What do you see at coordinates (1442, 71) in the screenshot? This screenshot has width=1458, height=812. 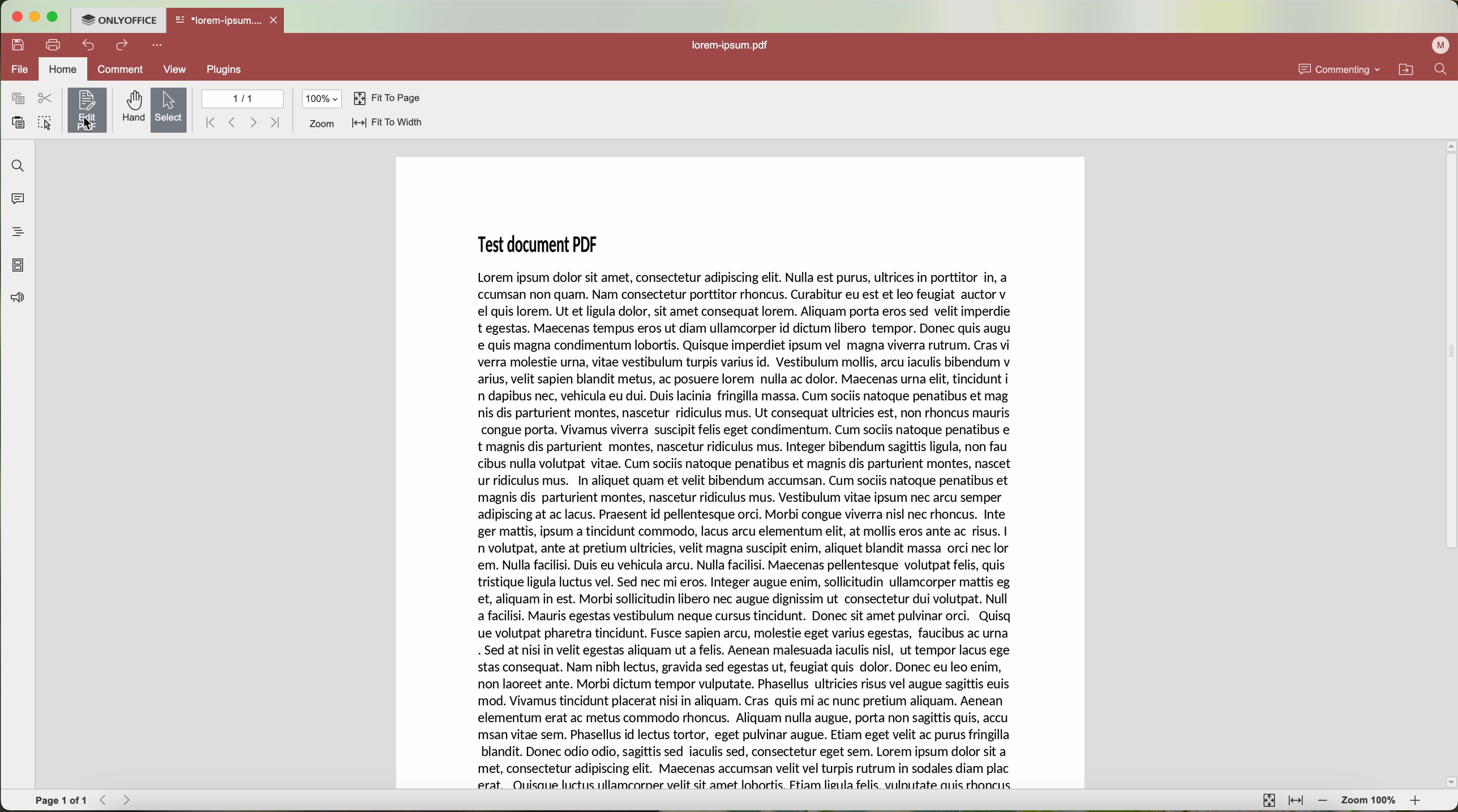 I see `find` at bounding box center [1442, 71].